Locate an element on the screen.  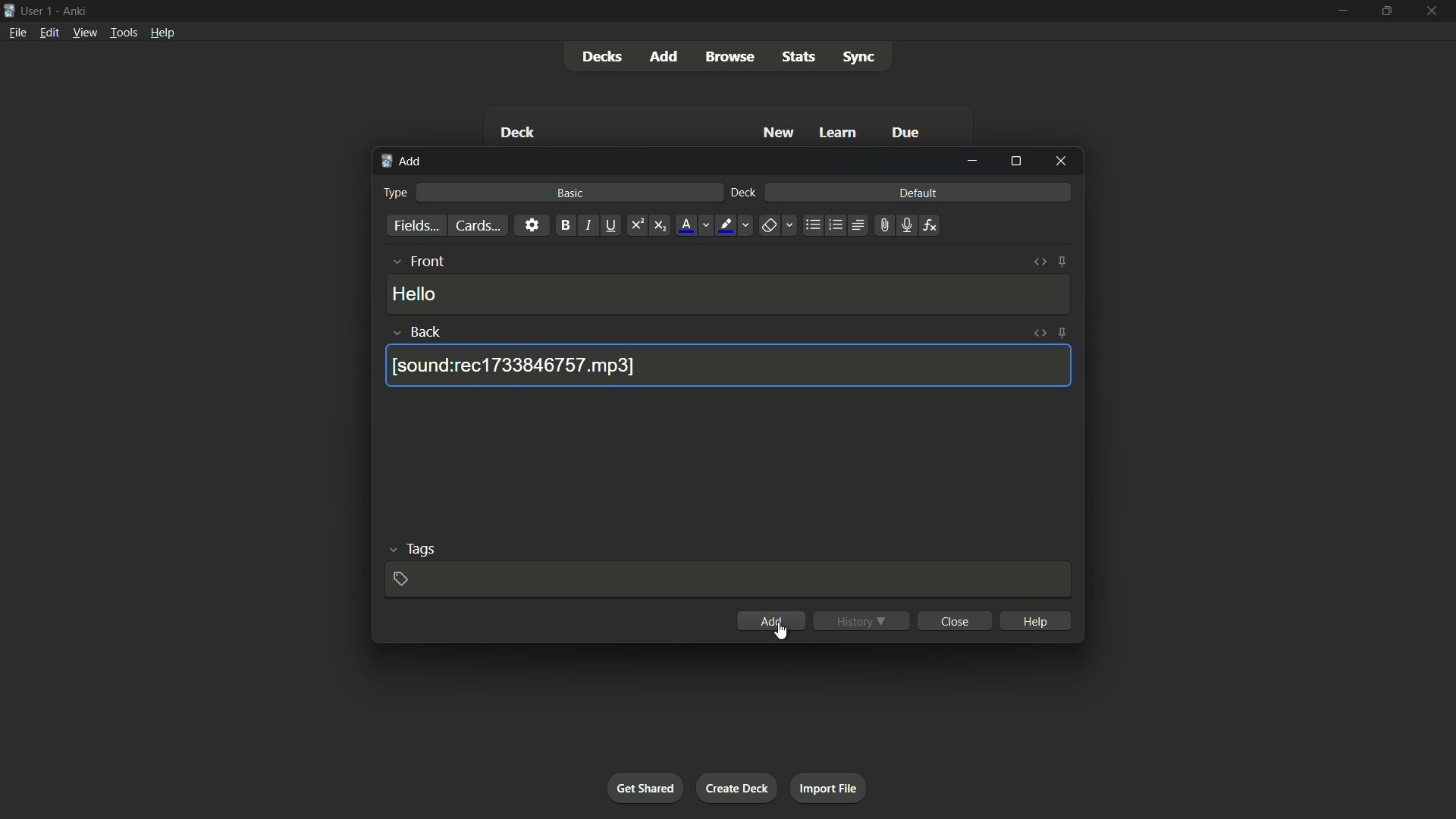
edit menu is located at coordinates (49, 33).